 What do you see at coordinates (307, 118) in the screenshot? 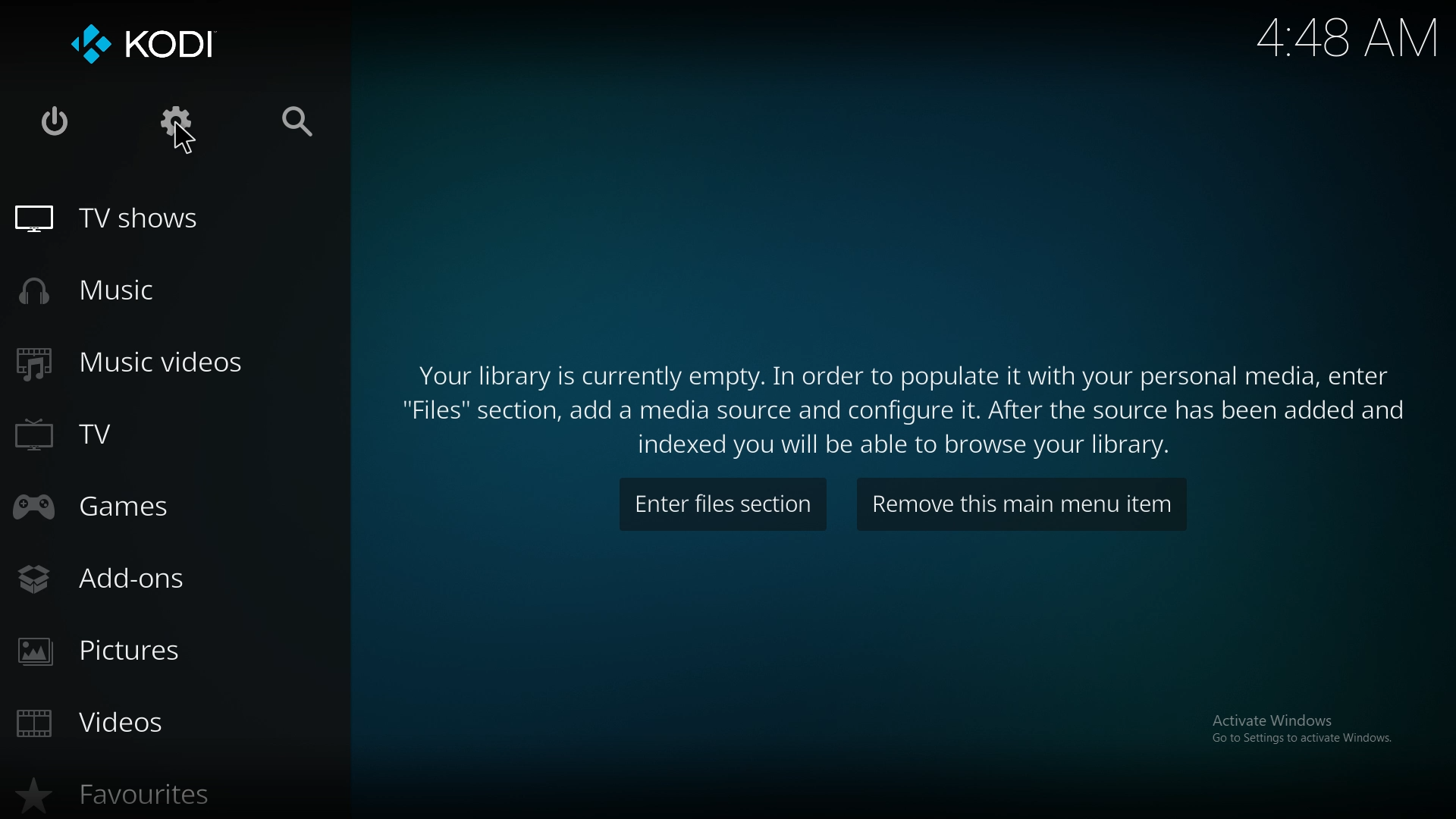
I see `search` at bounding box center [307, 118].